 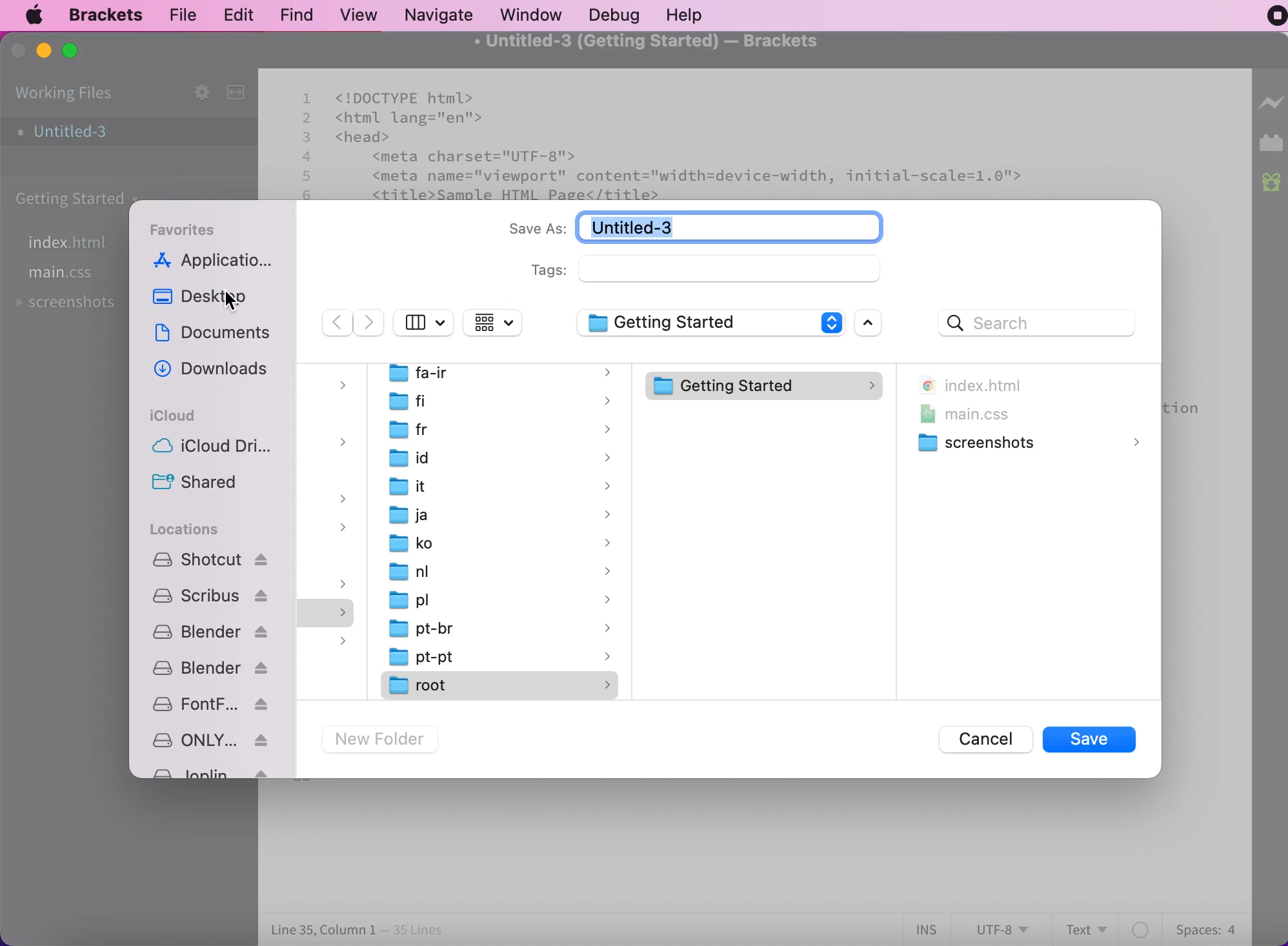 I want to click on recording stopped, so click(x=1277, y=17).